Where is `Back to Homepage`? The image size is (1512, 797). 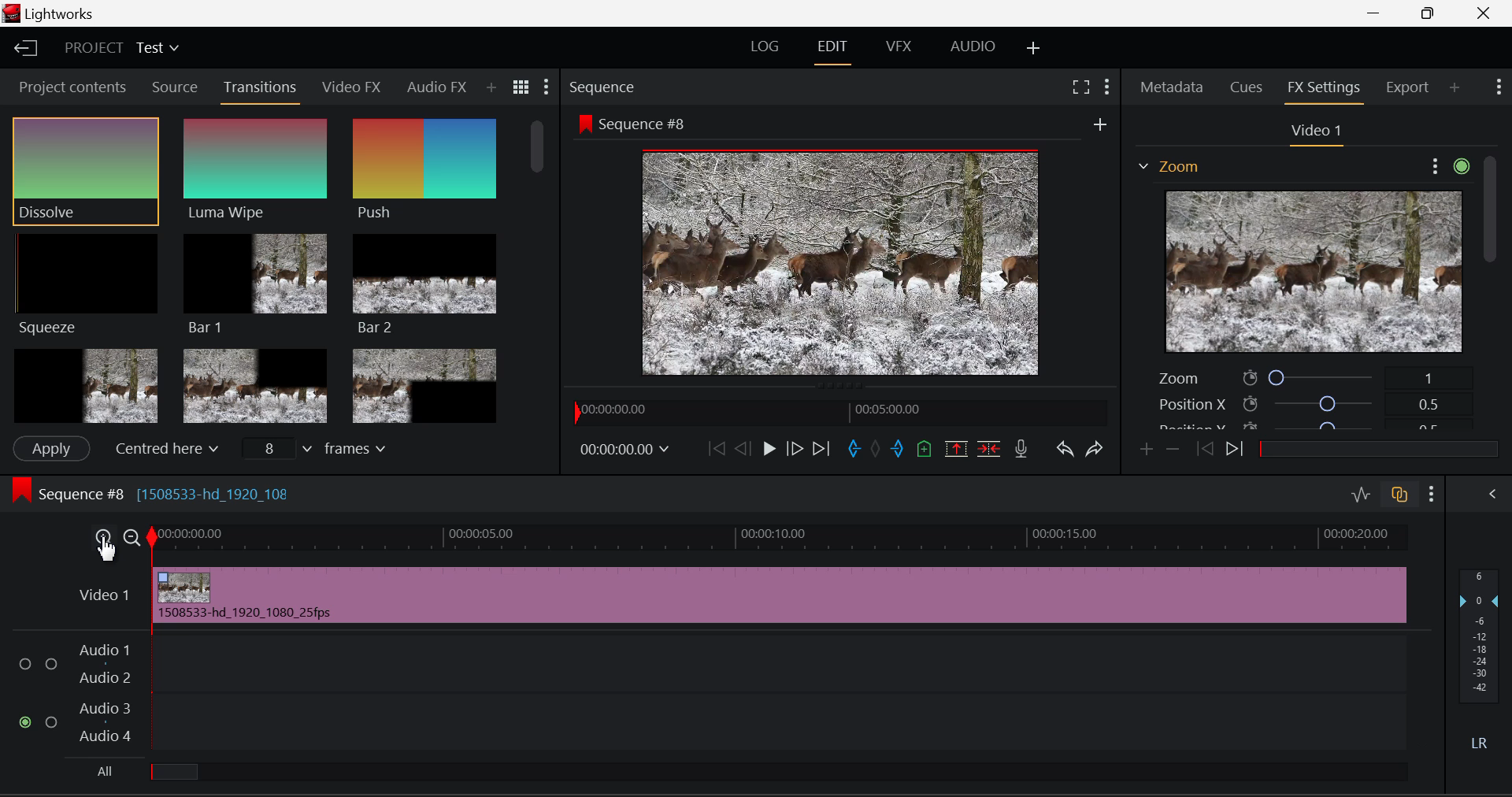 Back to Homepage is located at coordinates (23, 46).